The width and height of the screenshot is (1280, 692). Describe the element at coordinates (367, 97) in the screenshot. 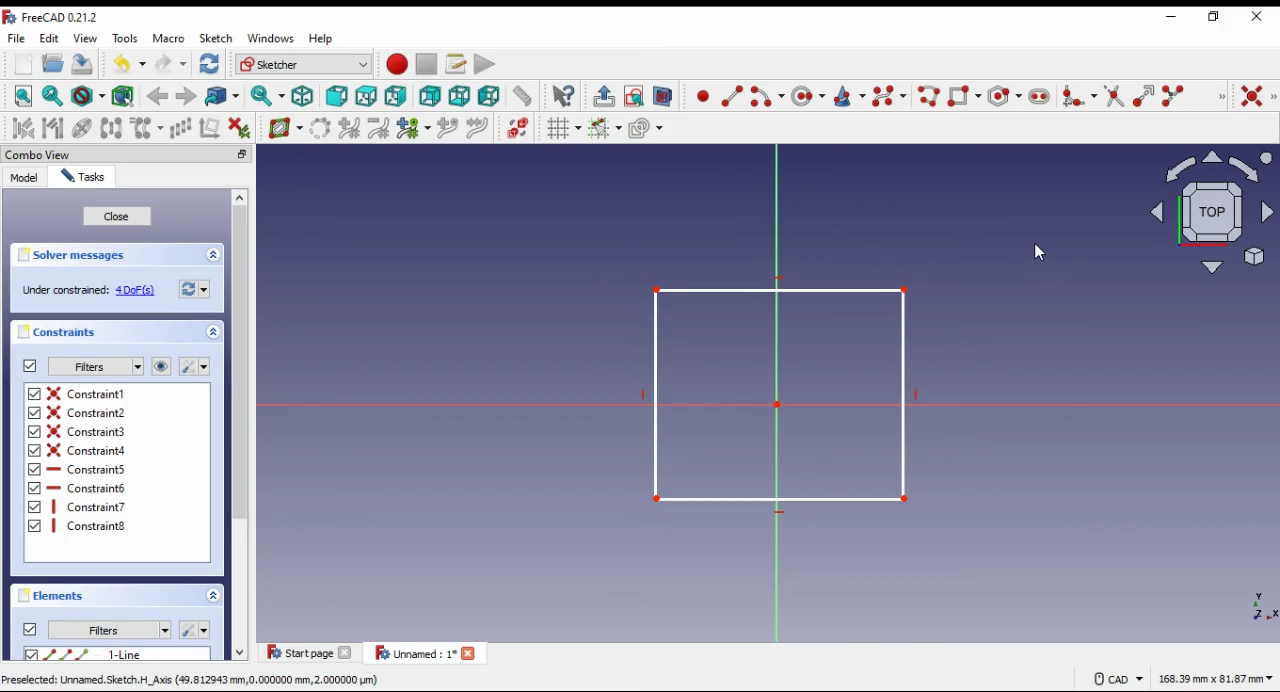

I see `top` at that location.